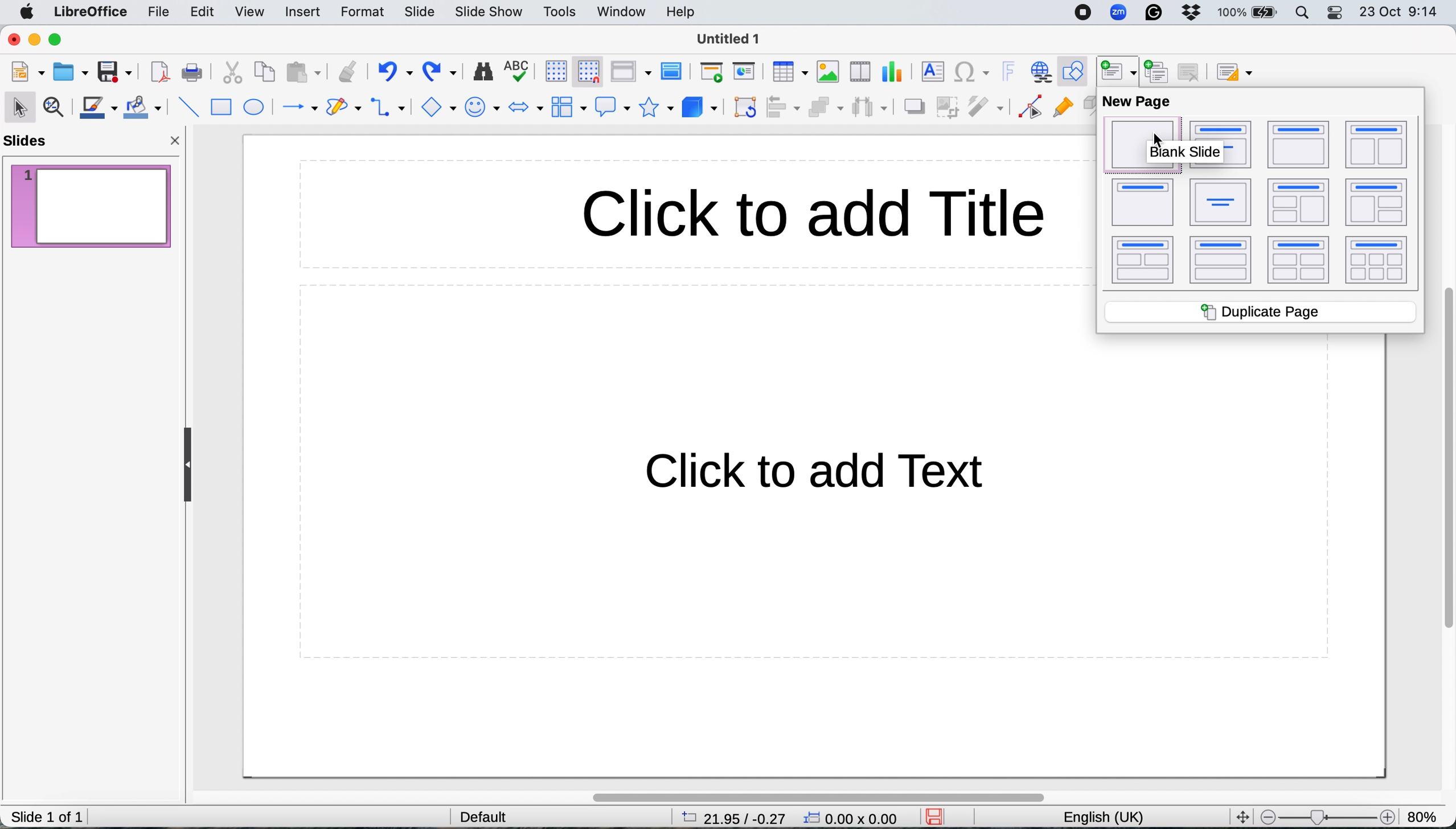  What do you see at coordinates (984, 106) in the screenshot?
I see `filter` at bounding box center [984, 106].